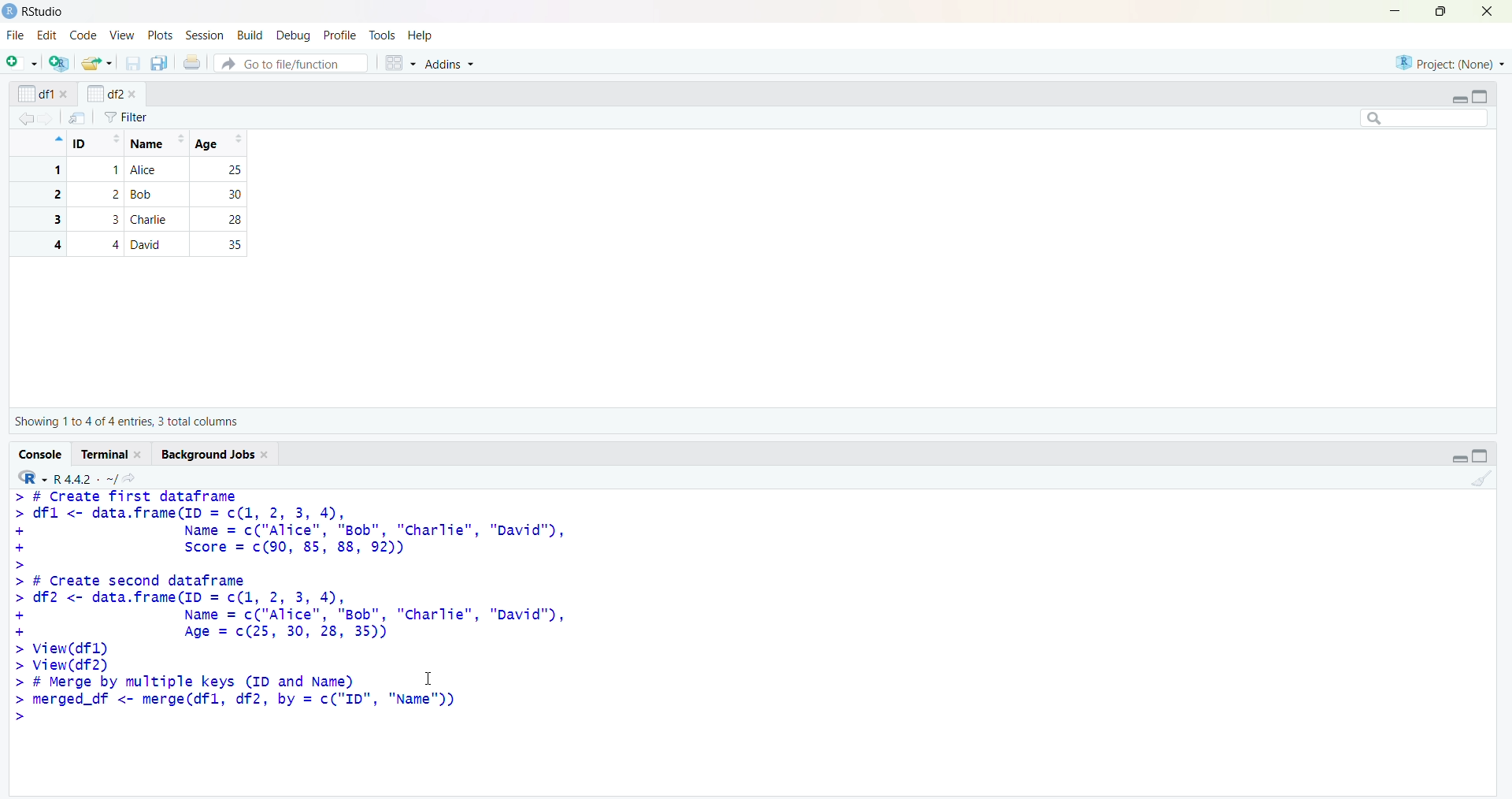 The image size is (1512, 799). What do you see at coordinates (252, 36) in the screenshot?
I see `build` at bounding box center [252, 36].